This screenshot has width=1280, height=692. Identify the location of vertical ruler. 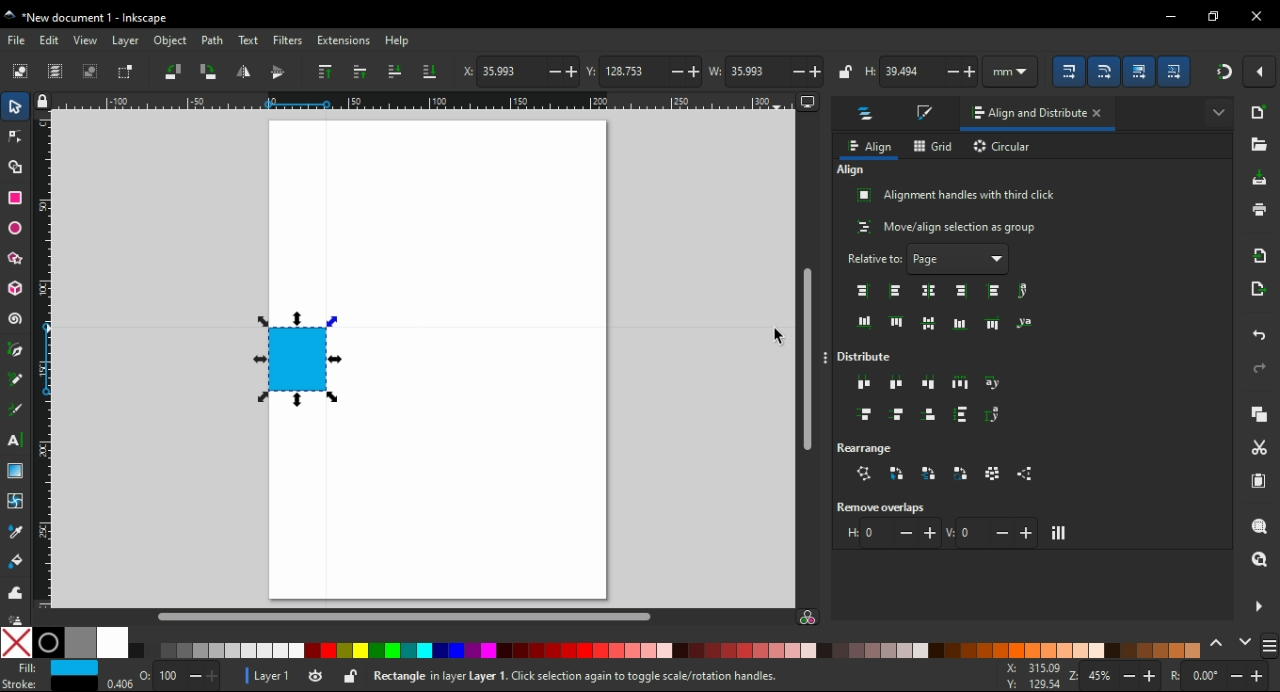
(48, 364).